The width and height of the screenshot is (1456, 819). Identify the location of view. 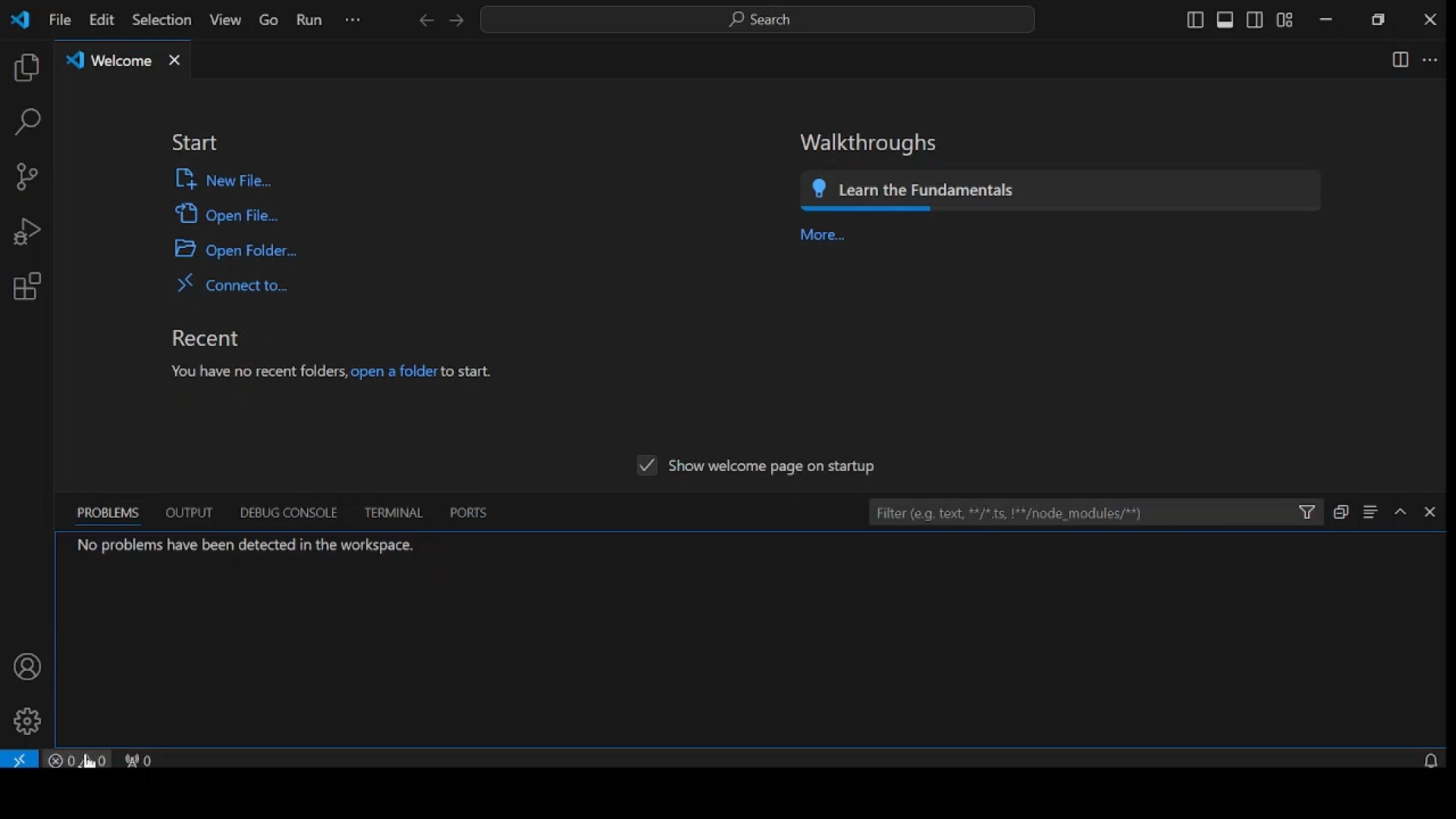
(223, 20).